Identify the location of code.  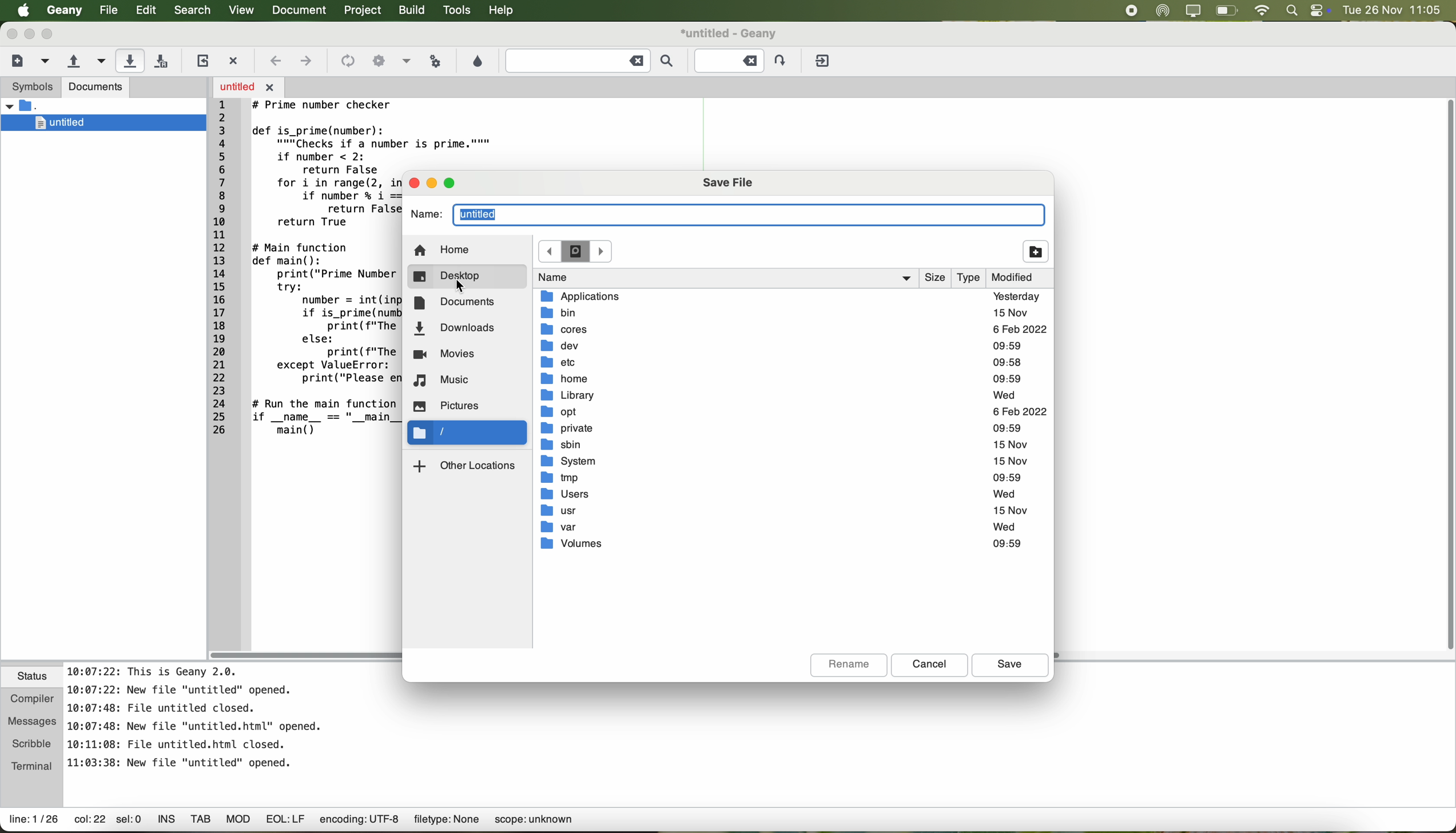
(308, 280).